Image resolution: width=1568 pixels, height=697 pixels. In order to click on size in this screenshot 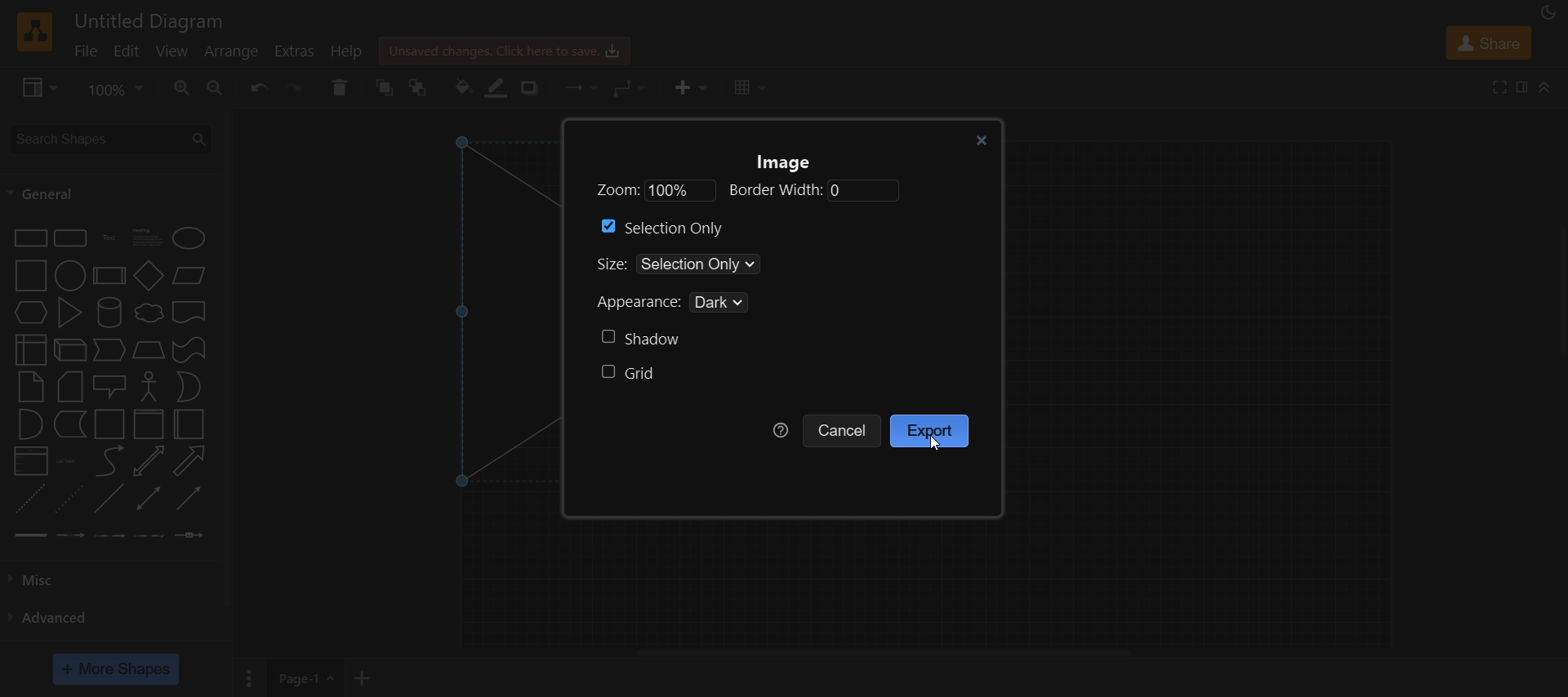, I will do `click(719, 265)`.